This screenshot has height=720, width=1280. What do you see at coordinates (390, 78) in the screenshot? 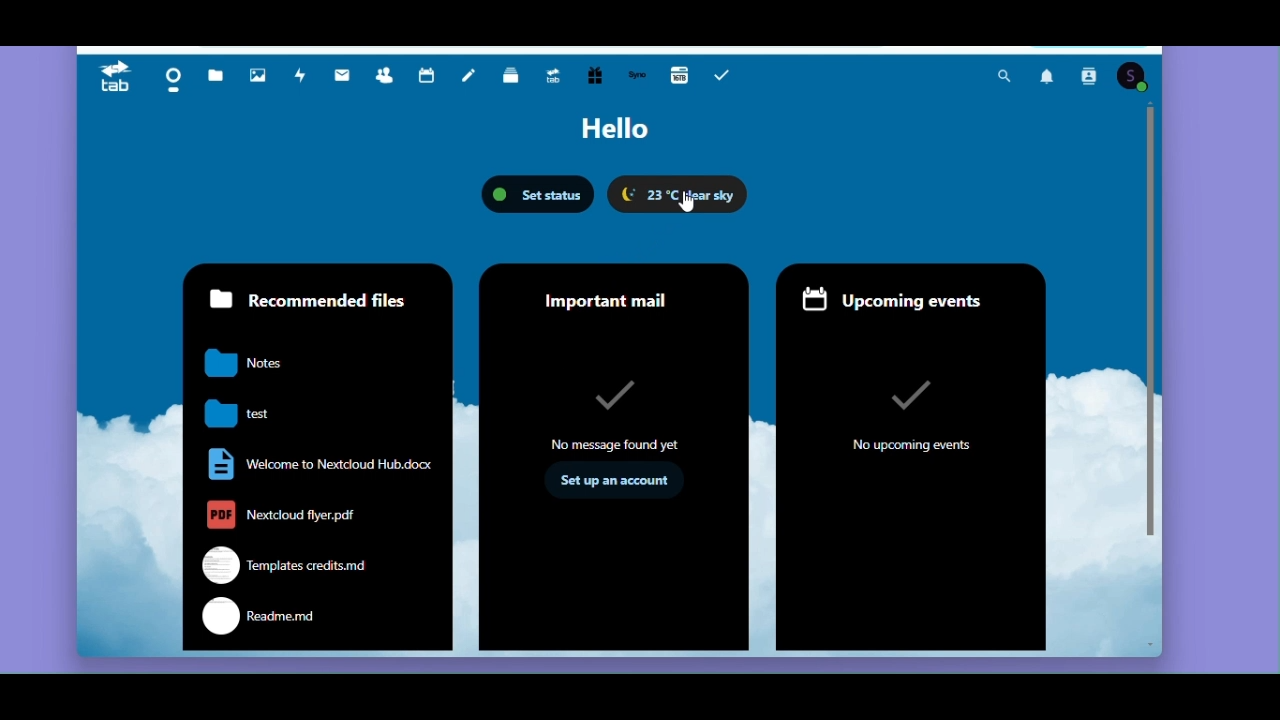
I see `Contacts` at bounding box center [390, 78].